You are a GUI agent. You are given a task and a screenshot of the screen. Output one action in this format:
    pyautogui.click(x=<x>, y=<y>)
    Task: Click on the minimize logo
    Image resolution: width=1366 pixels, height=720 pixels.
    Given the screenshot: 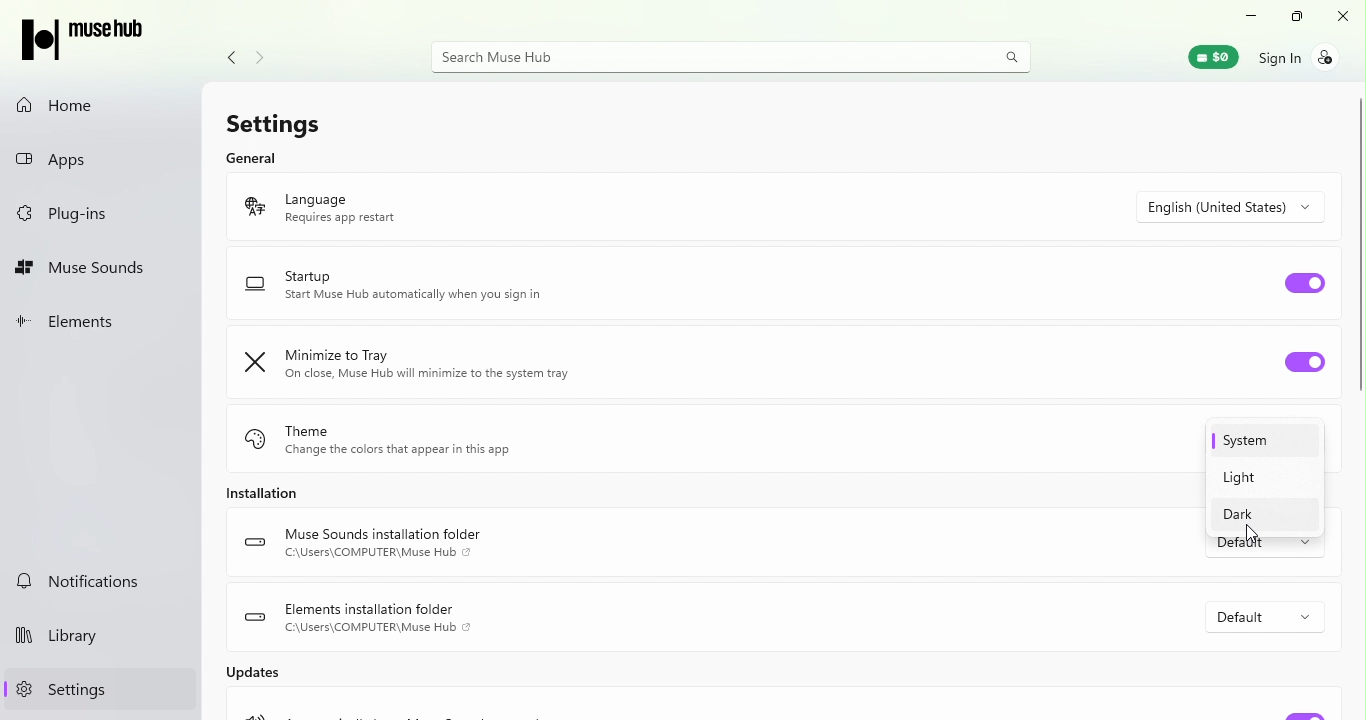 What is the action you would take?
    pyautogui.click(x=259, y=364)
    